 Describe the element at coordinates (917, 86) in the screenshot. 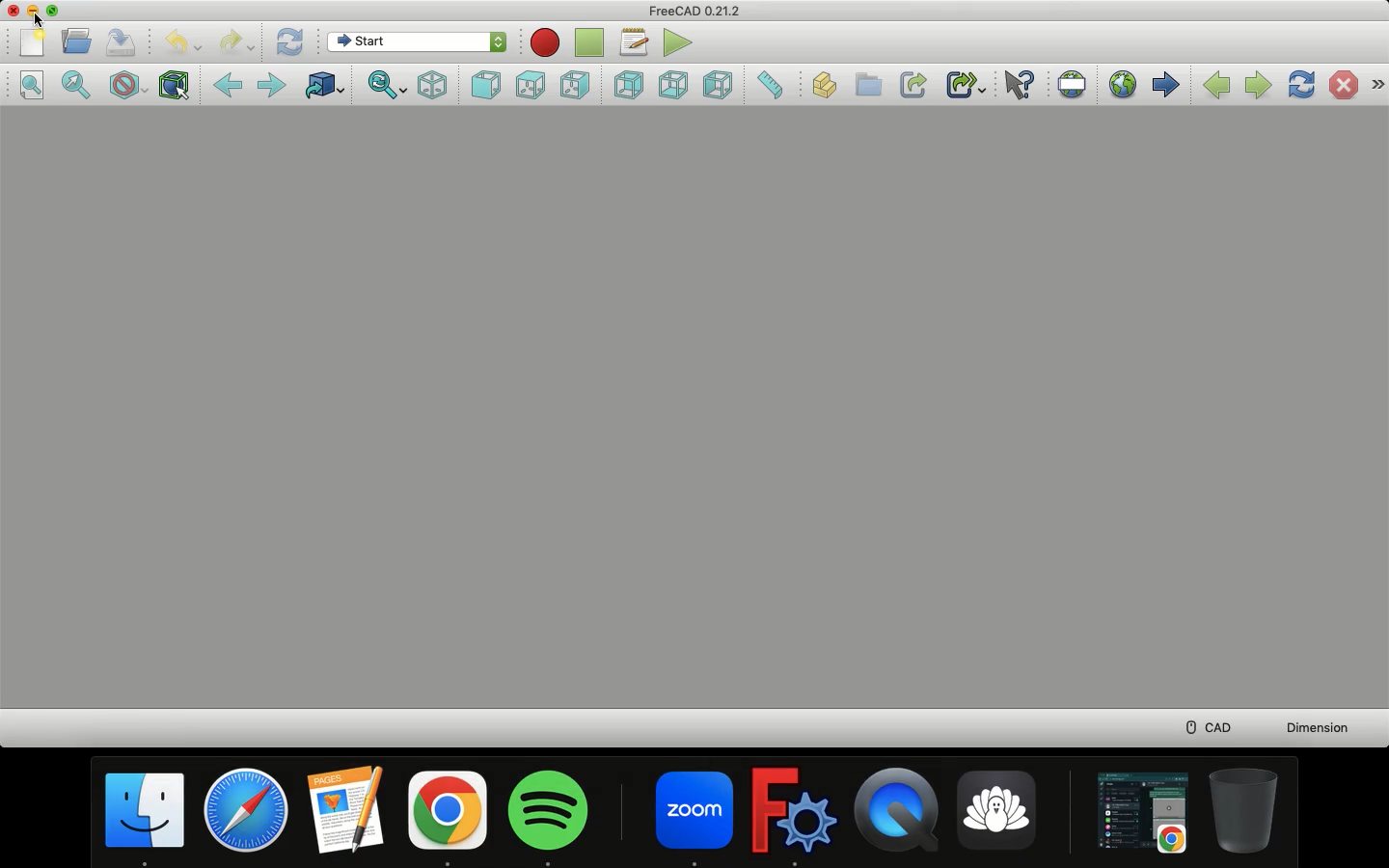

I see `Make link` at that location.